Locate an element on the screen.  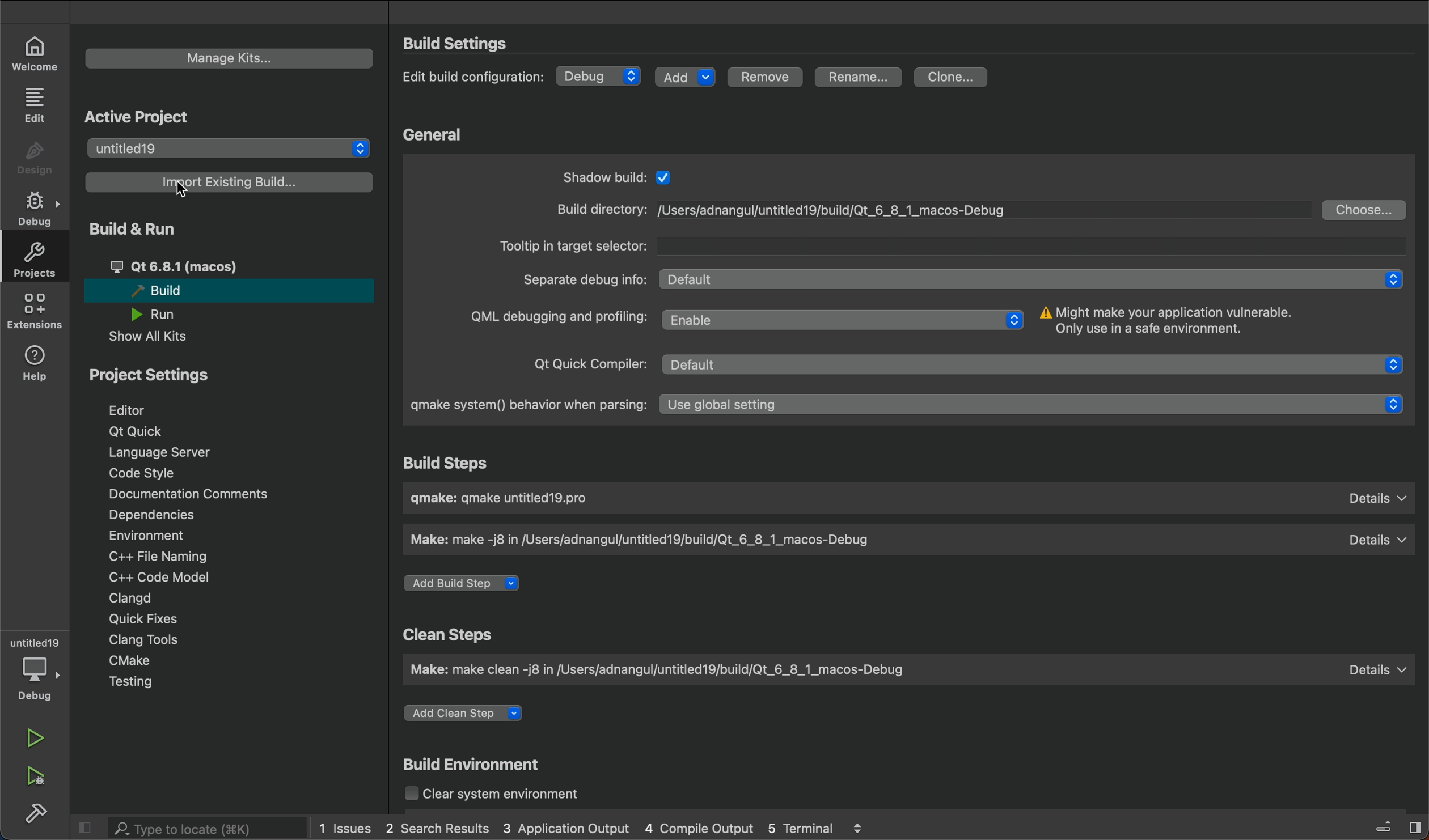
search is located at coordinates (195, 828).